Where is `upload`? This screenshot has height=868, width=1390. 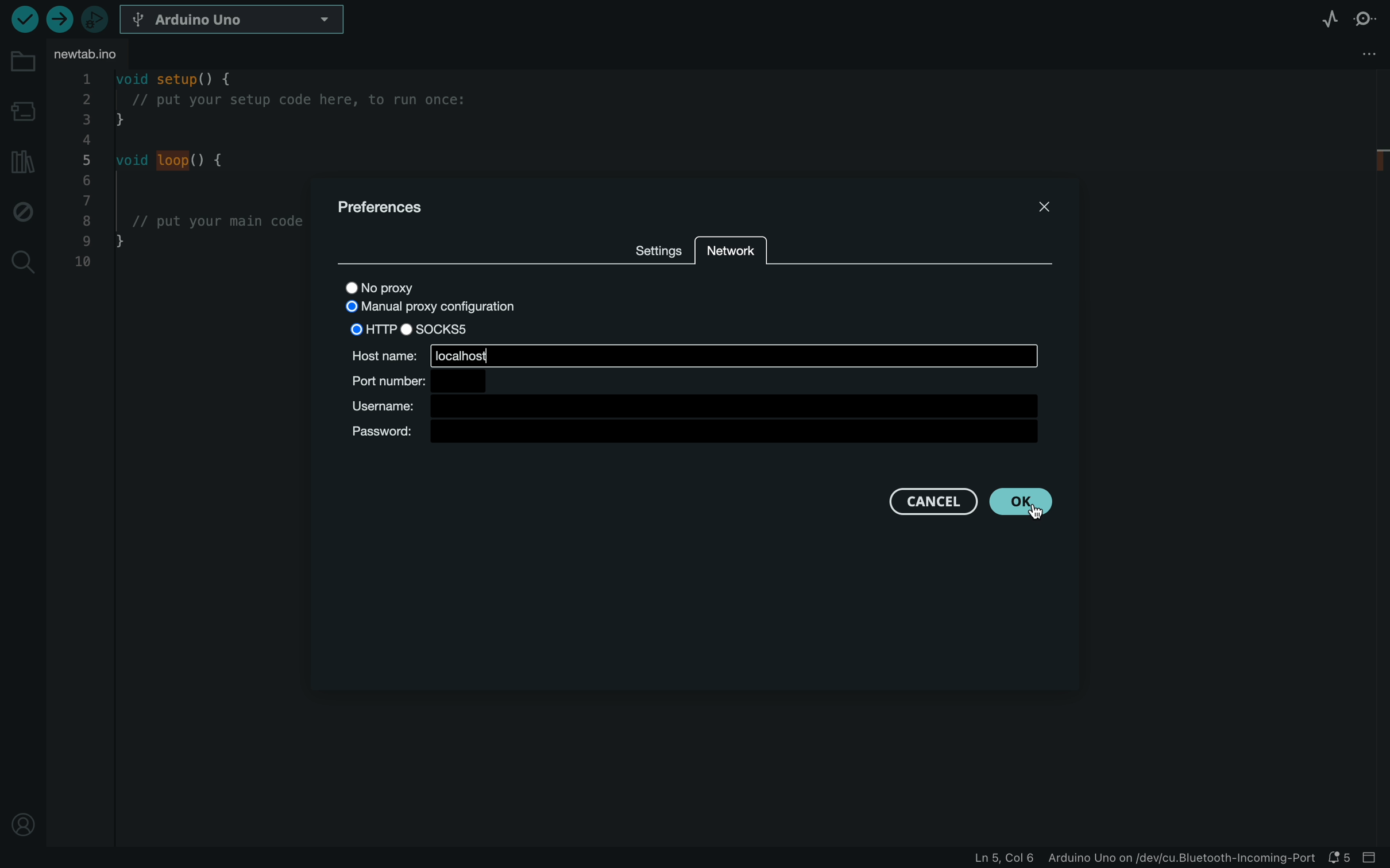
upload is located at coordinates (61, 18).